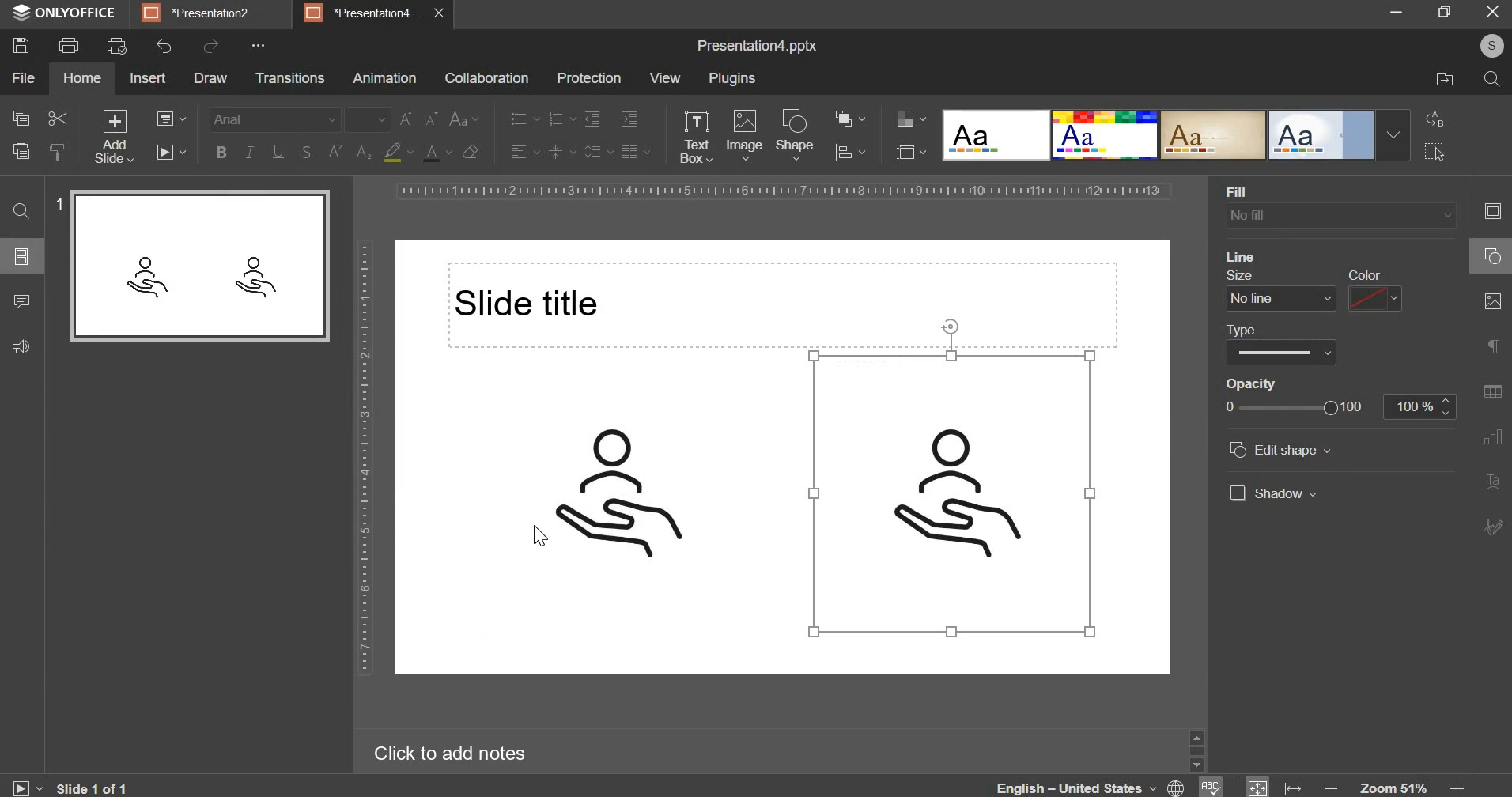 The width and height of the screenshot is (1512, 797). What do you see at coordinates (1295, 788) in the screenshot?
I see `fit to width` at bounding box center [1295, 788].